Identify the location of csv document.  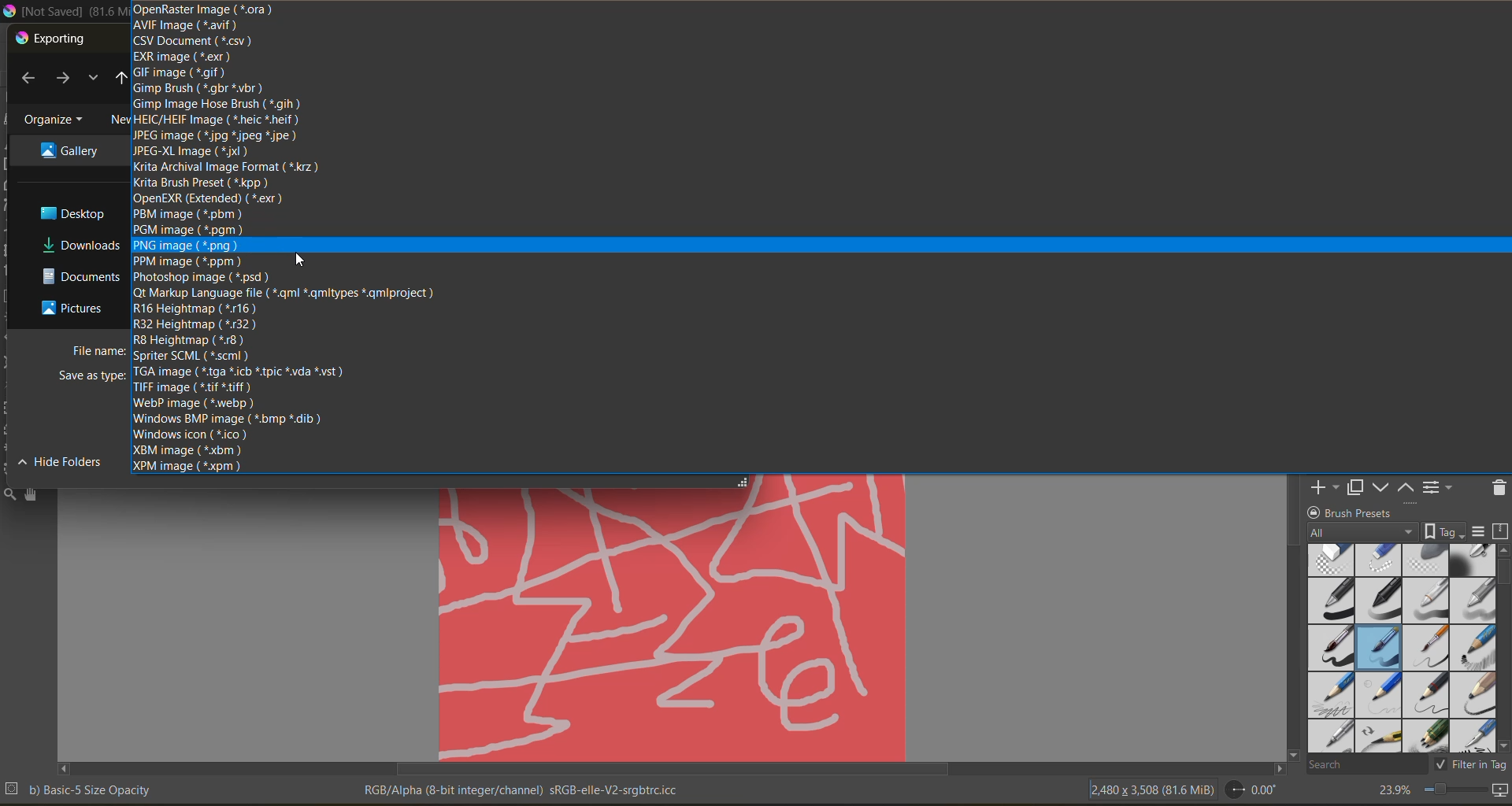
(193, 41).